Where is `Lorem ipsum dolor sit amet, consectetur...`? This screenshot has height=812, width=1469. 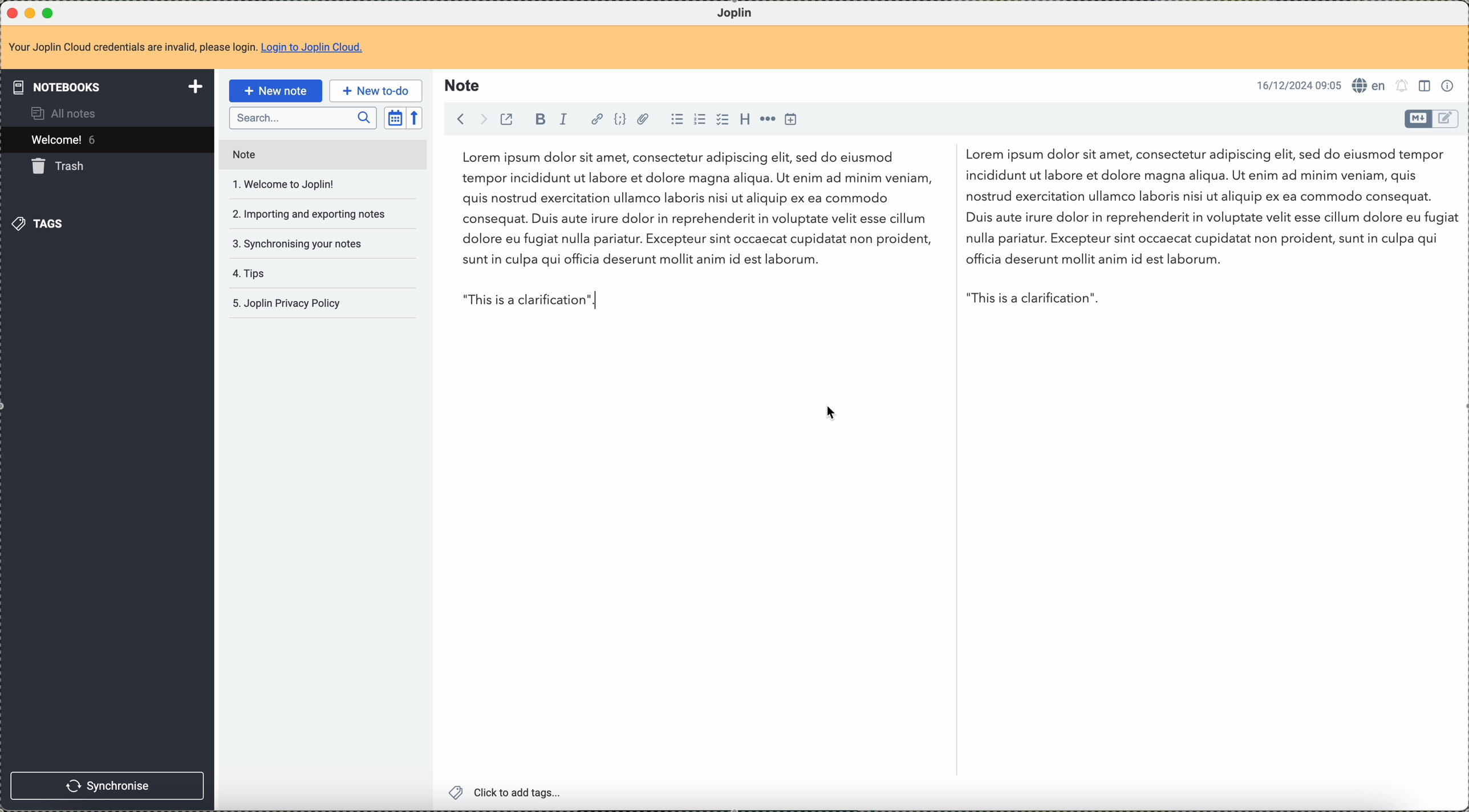
Lorem ipsum dolor sit amet, consectetur... is located at coordinates (688, 212).